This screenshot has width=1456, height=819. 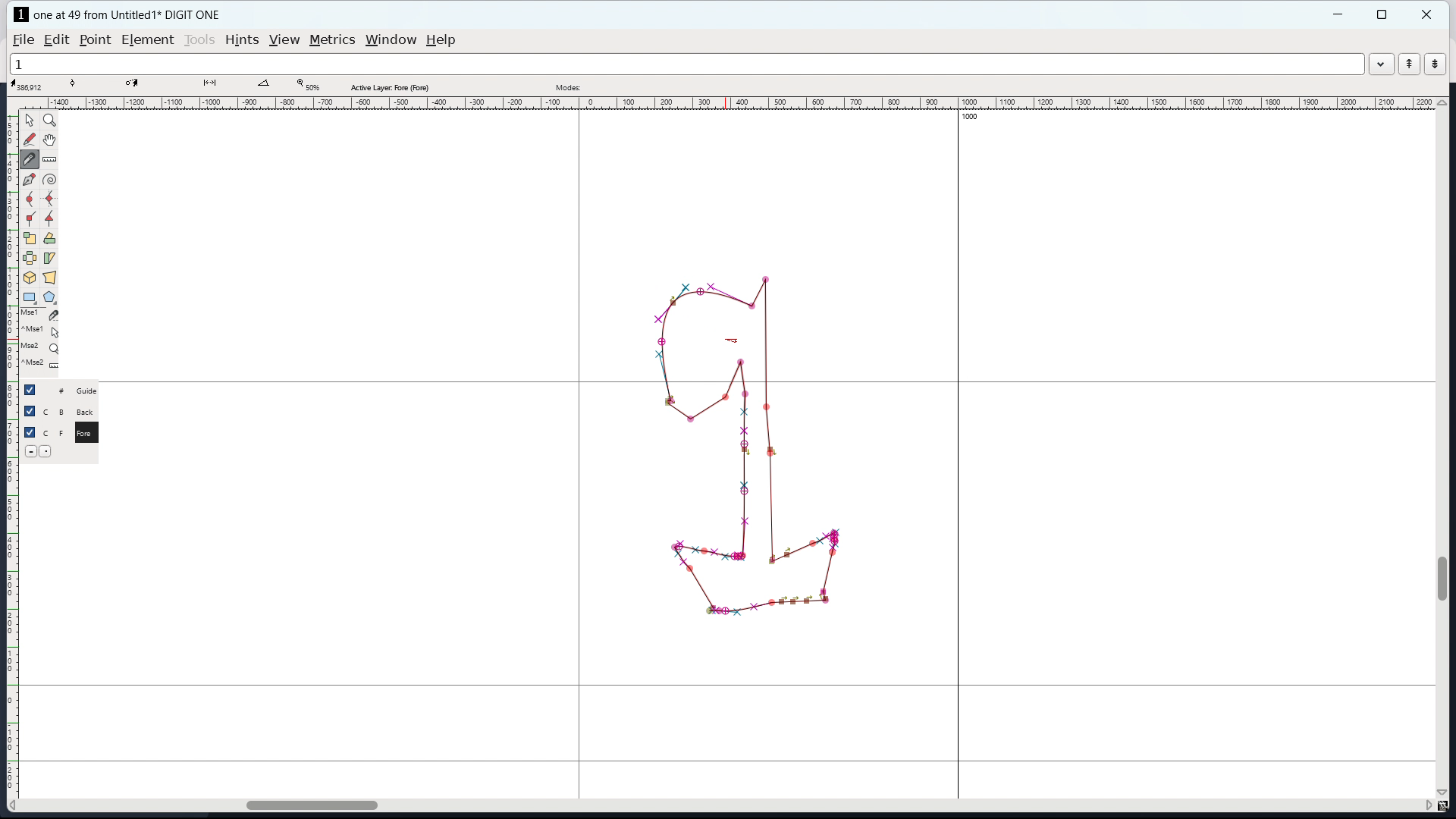 I want to click on C B, so click(x=55, y=410).